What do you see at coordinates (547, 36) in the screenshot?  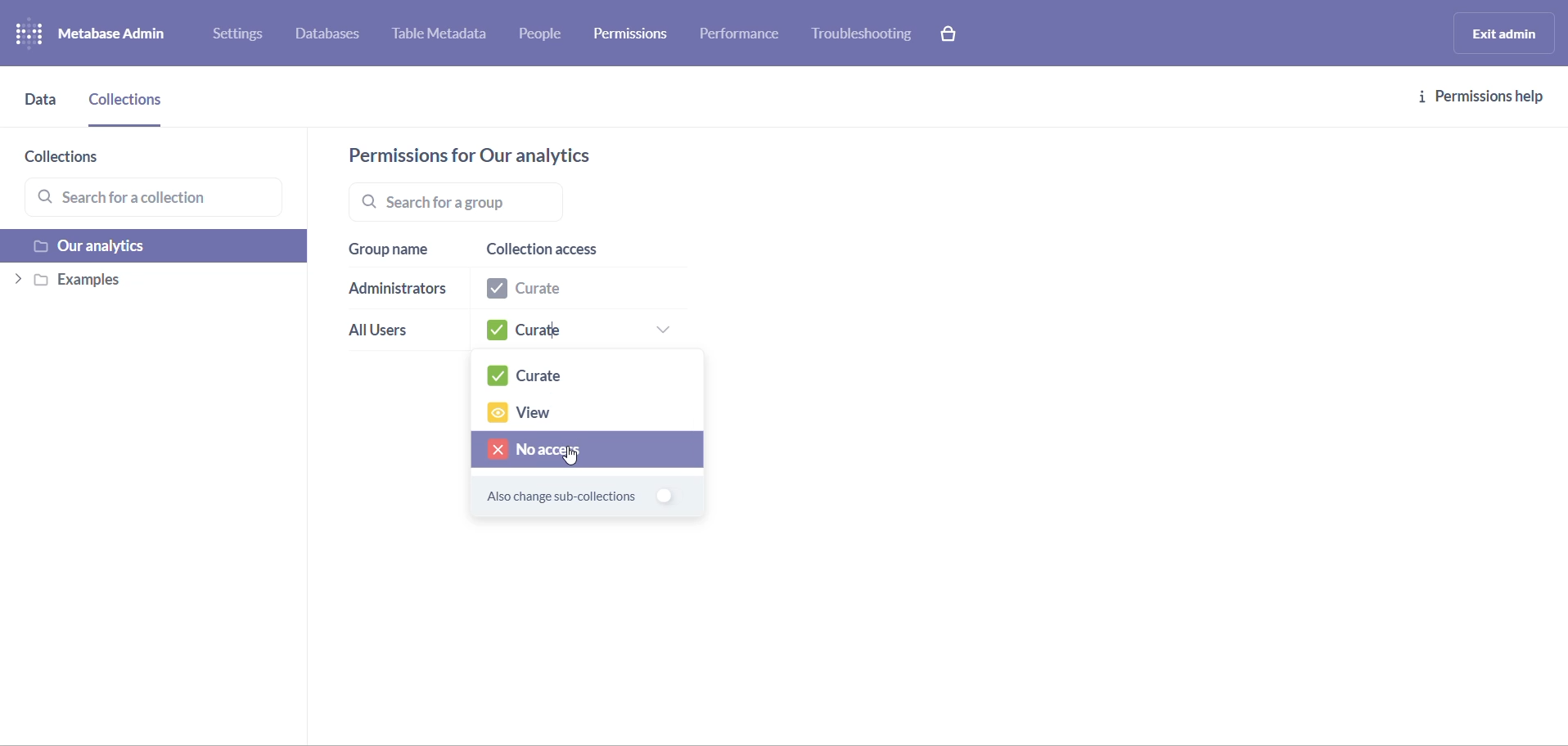 I see `people` at bounding box center [547, 36].